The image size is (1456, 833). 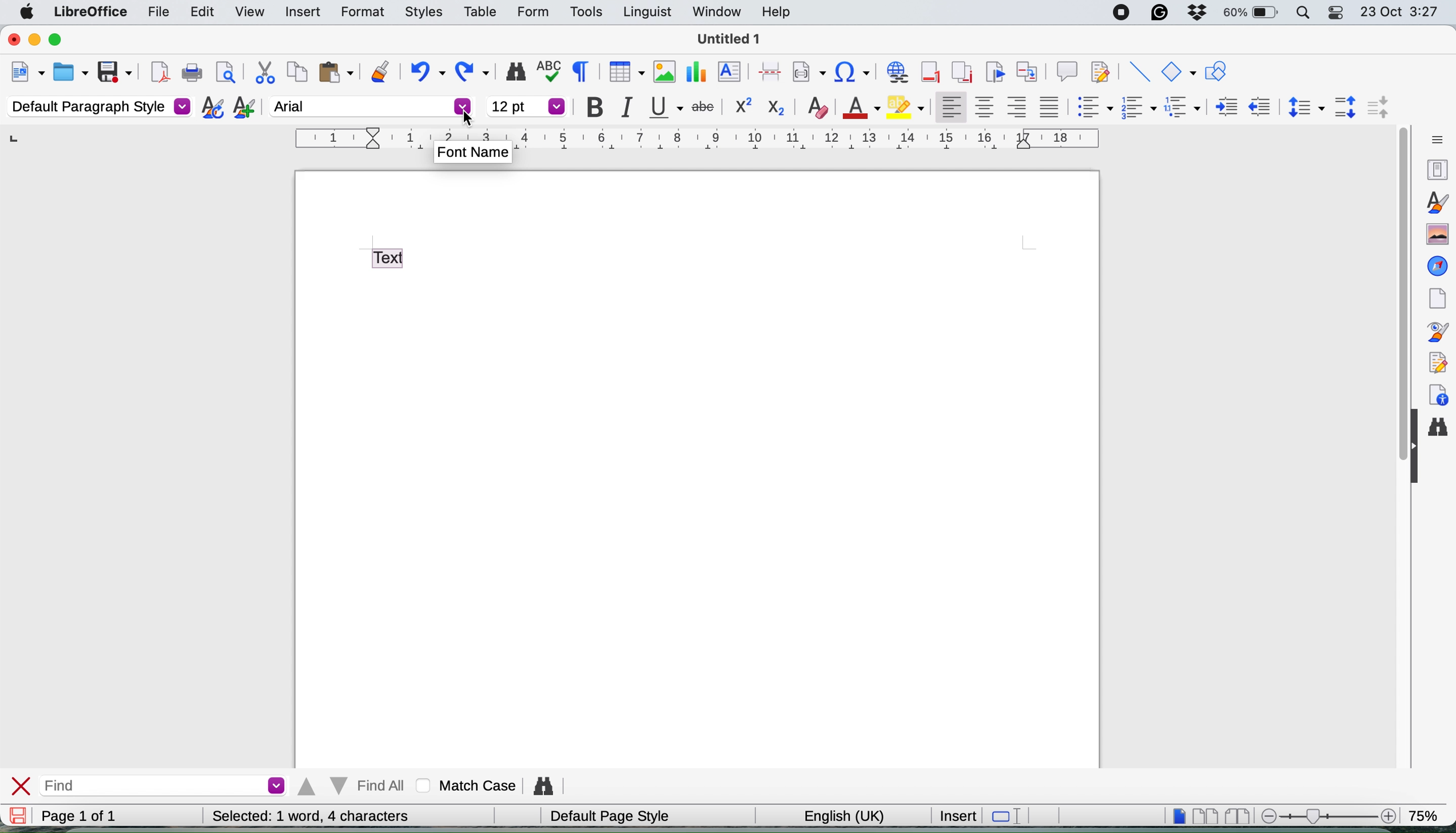 I want to click on styles, so click(x=418, y=13).